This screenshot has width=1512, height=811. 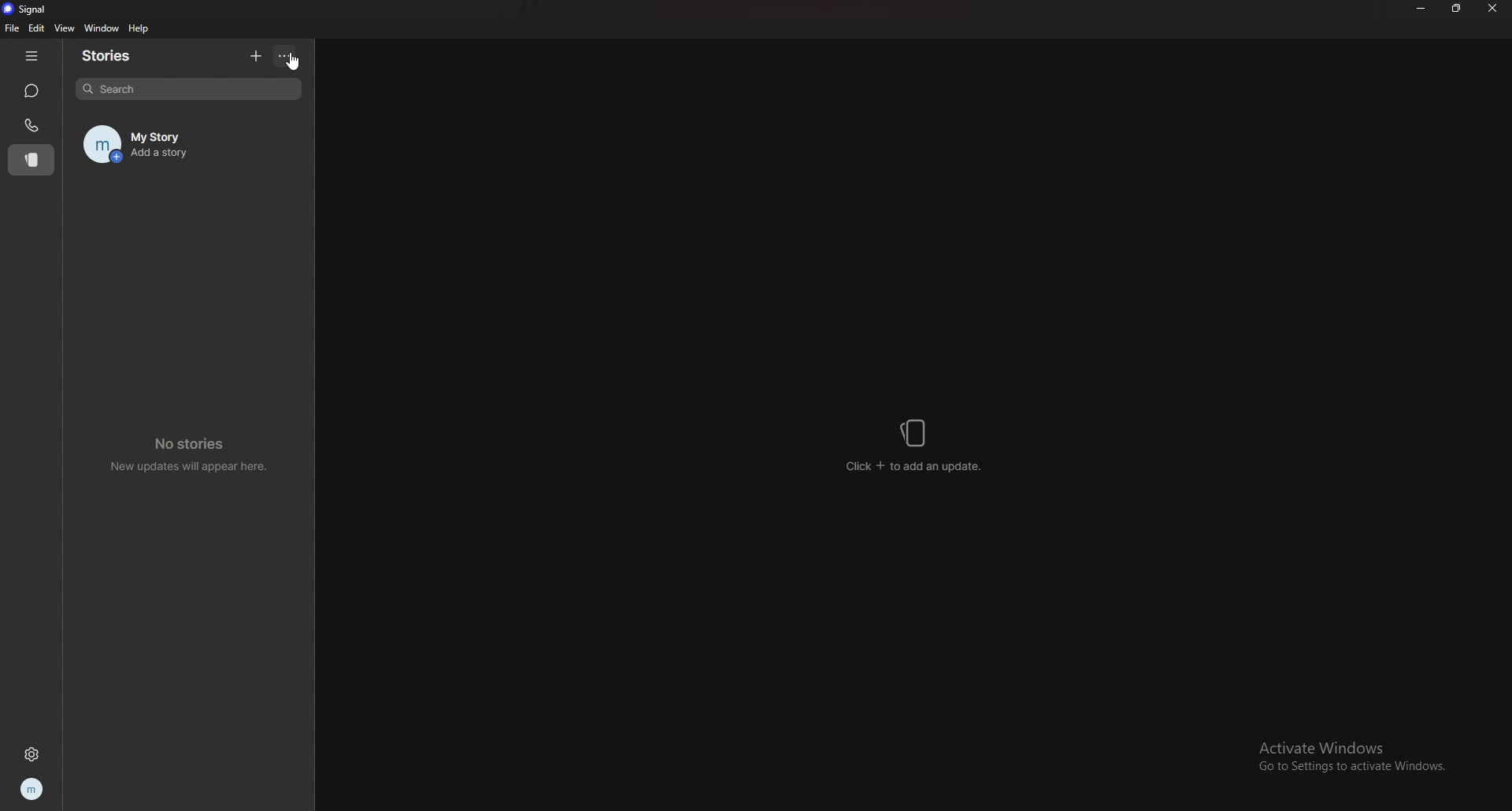 I want to click on add story, so click(x=256, y=56).